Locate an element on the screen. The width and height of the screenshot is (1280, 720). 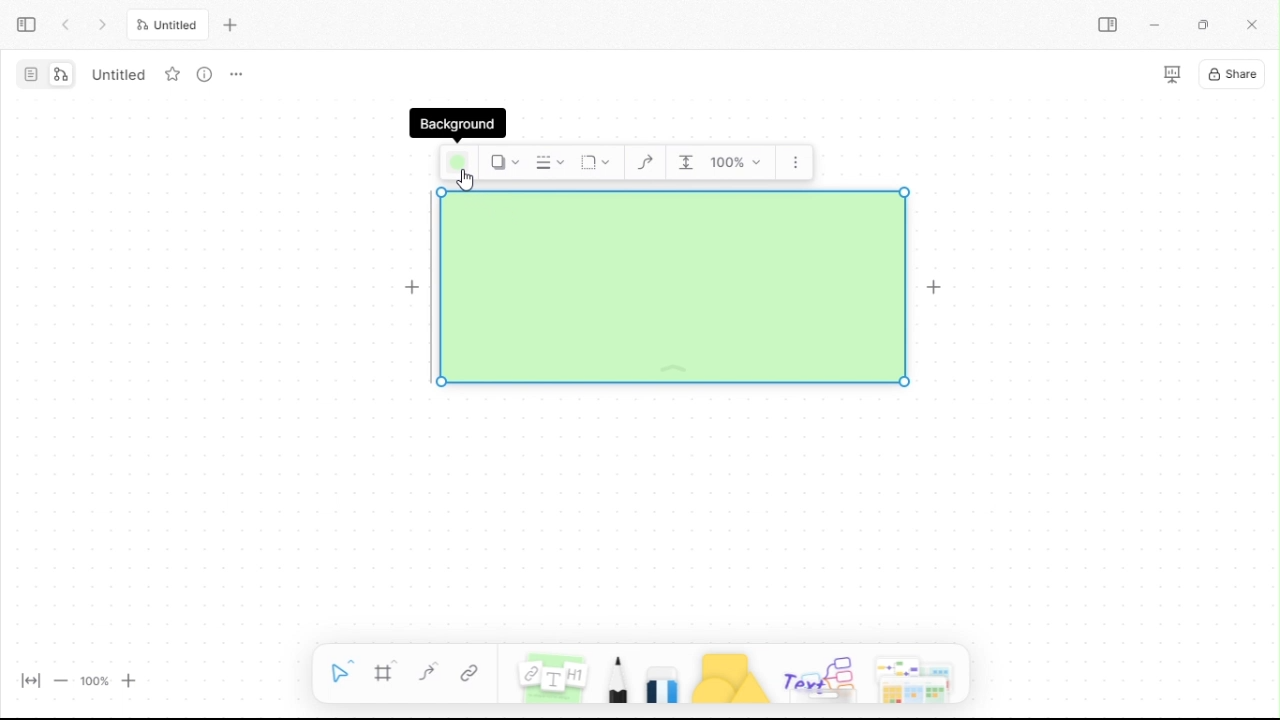
Add is located at coordinates (412, 288).